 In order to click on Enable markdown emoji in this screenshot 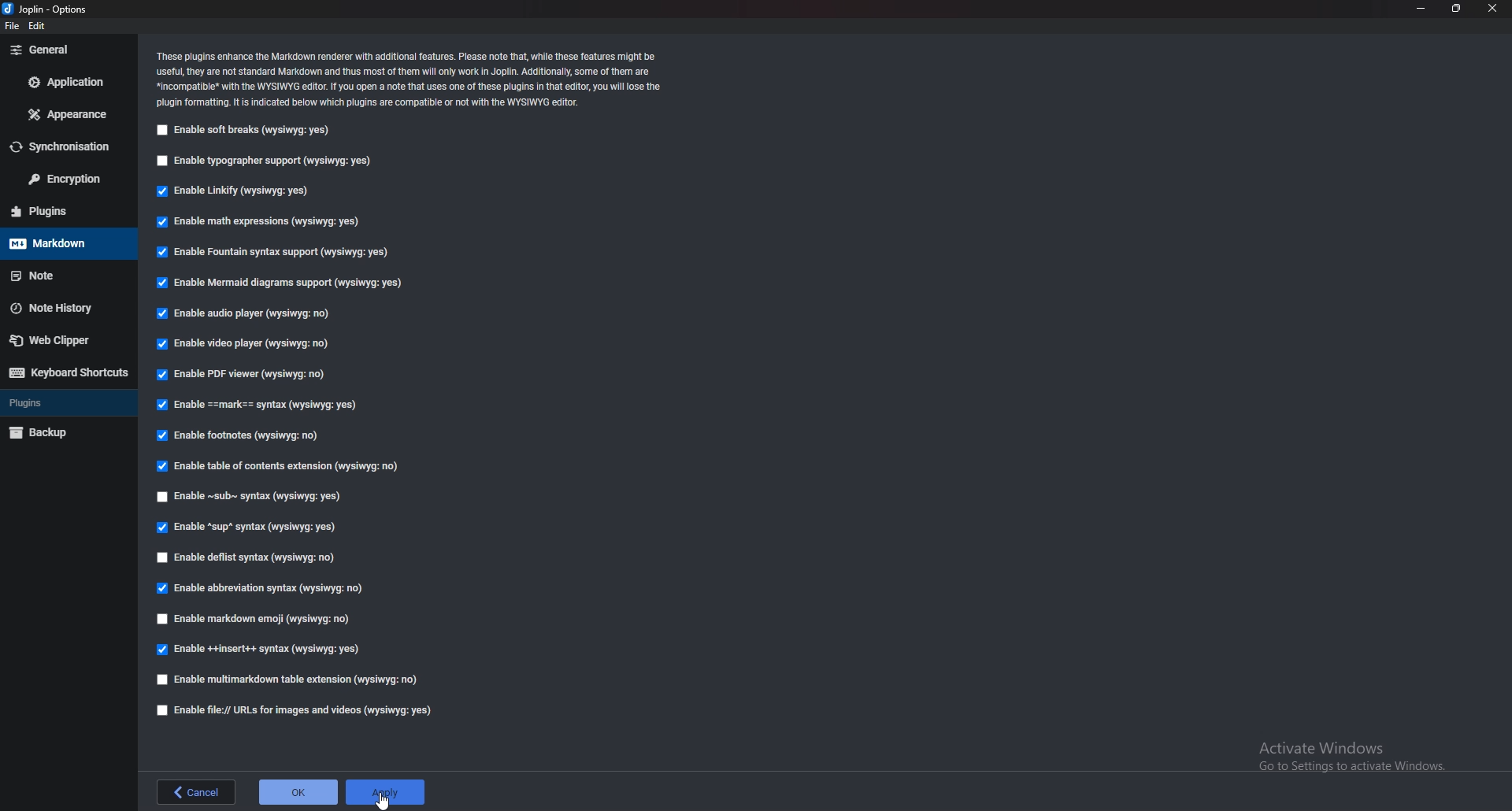, I will do `click(258, 620)`.